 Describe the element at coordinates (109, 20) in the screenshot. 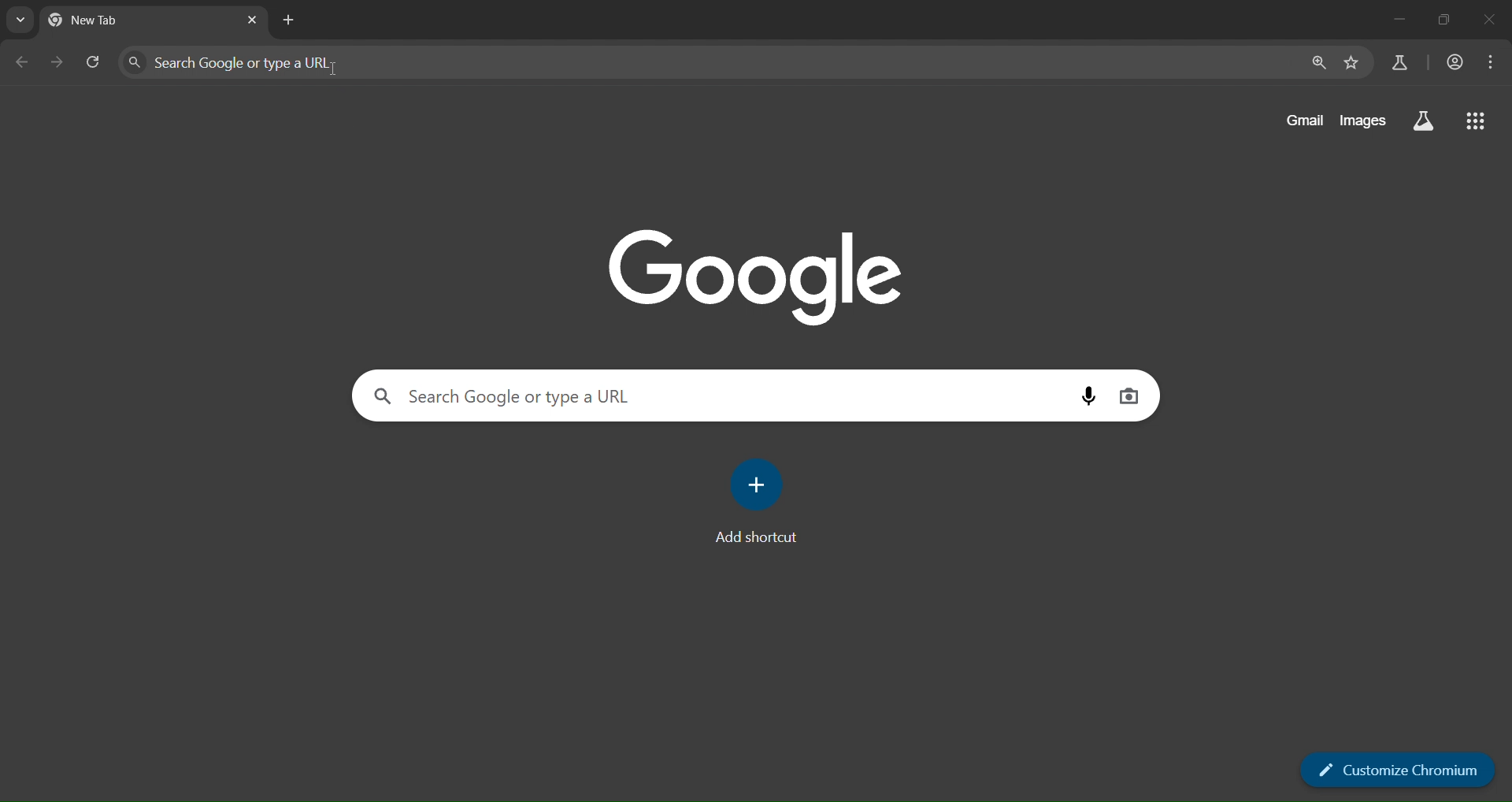

I see `New tab` at that location.